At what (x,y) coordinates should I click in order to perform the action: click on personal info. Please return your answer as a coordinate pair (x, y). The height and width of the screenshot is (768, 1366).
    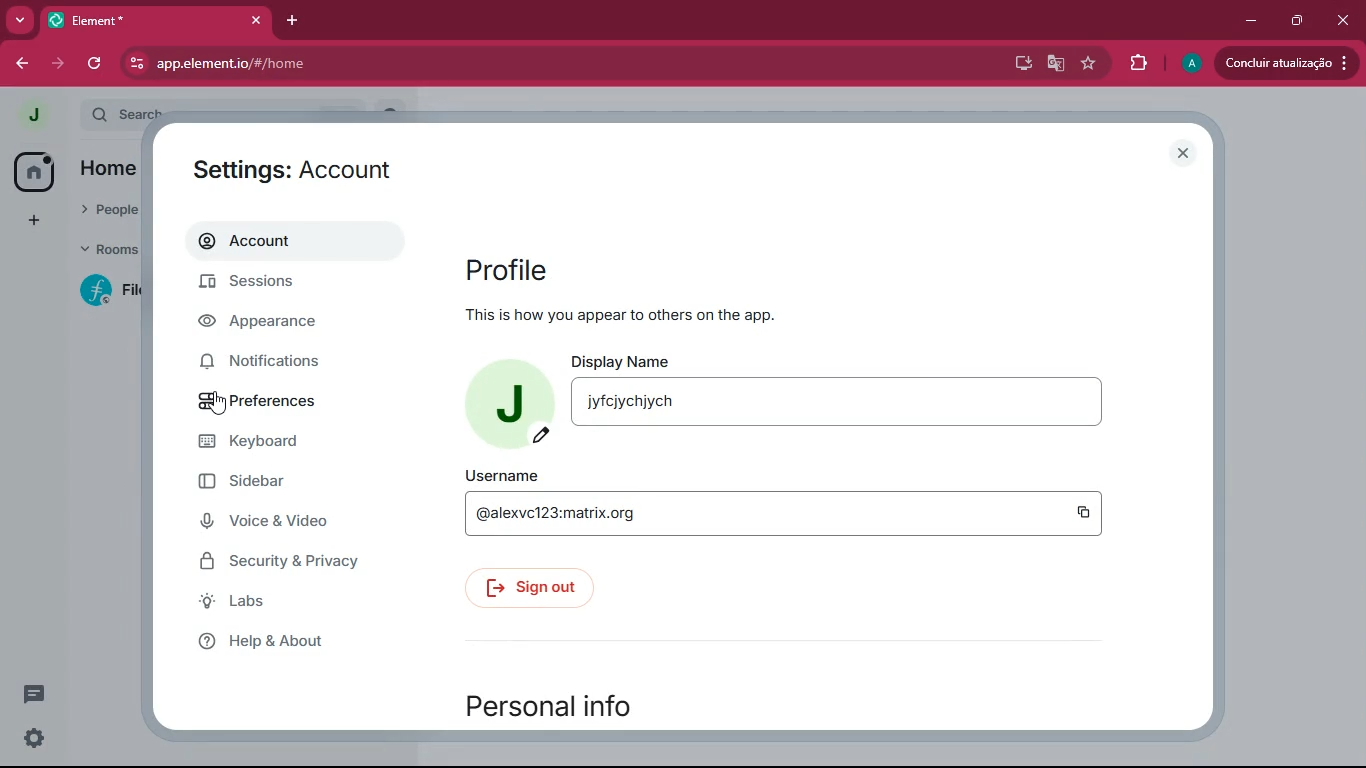
    Looking at the image, I should click on (558, 705).